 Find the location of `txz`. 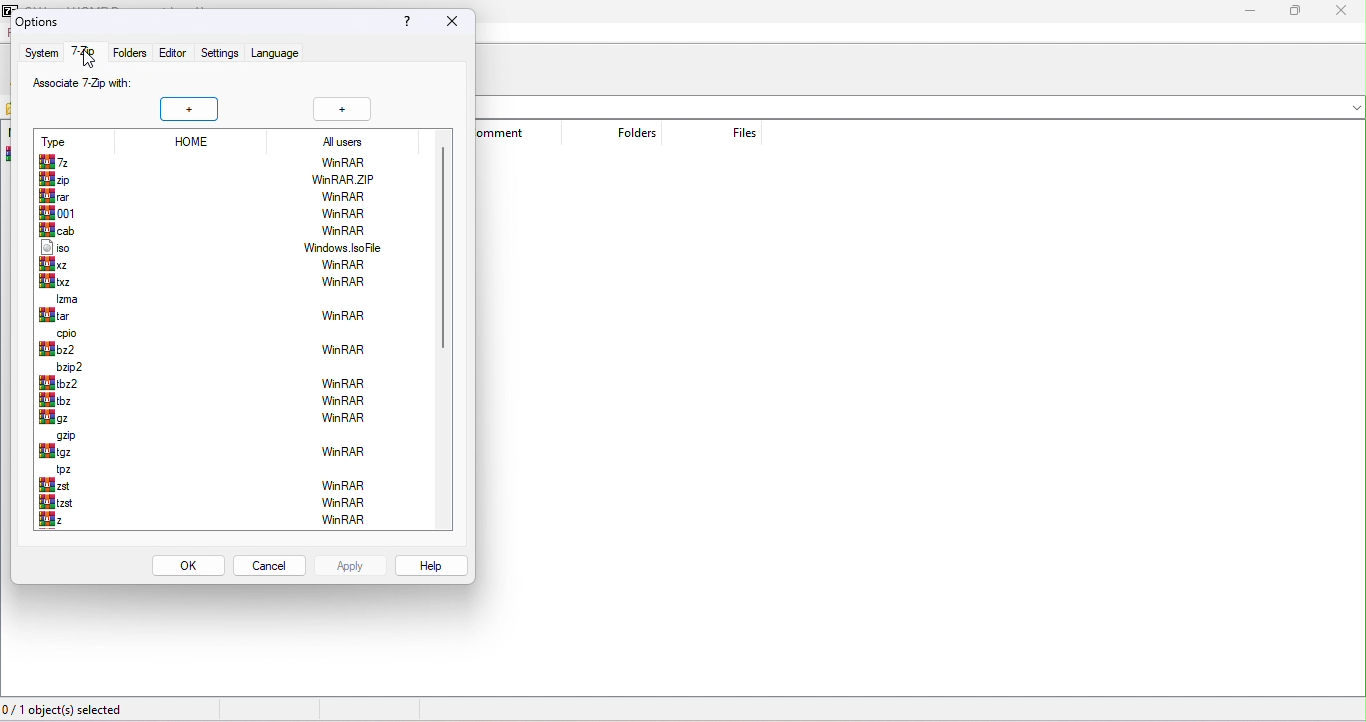

txz is located at coordinates (61, 282).